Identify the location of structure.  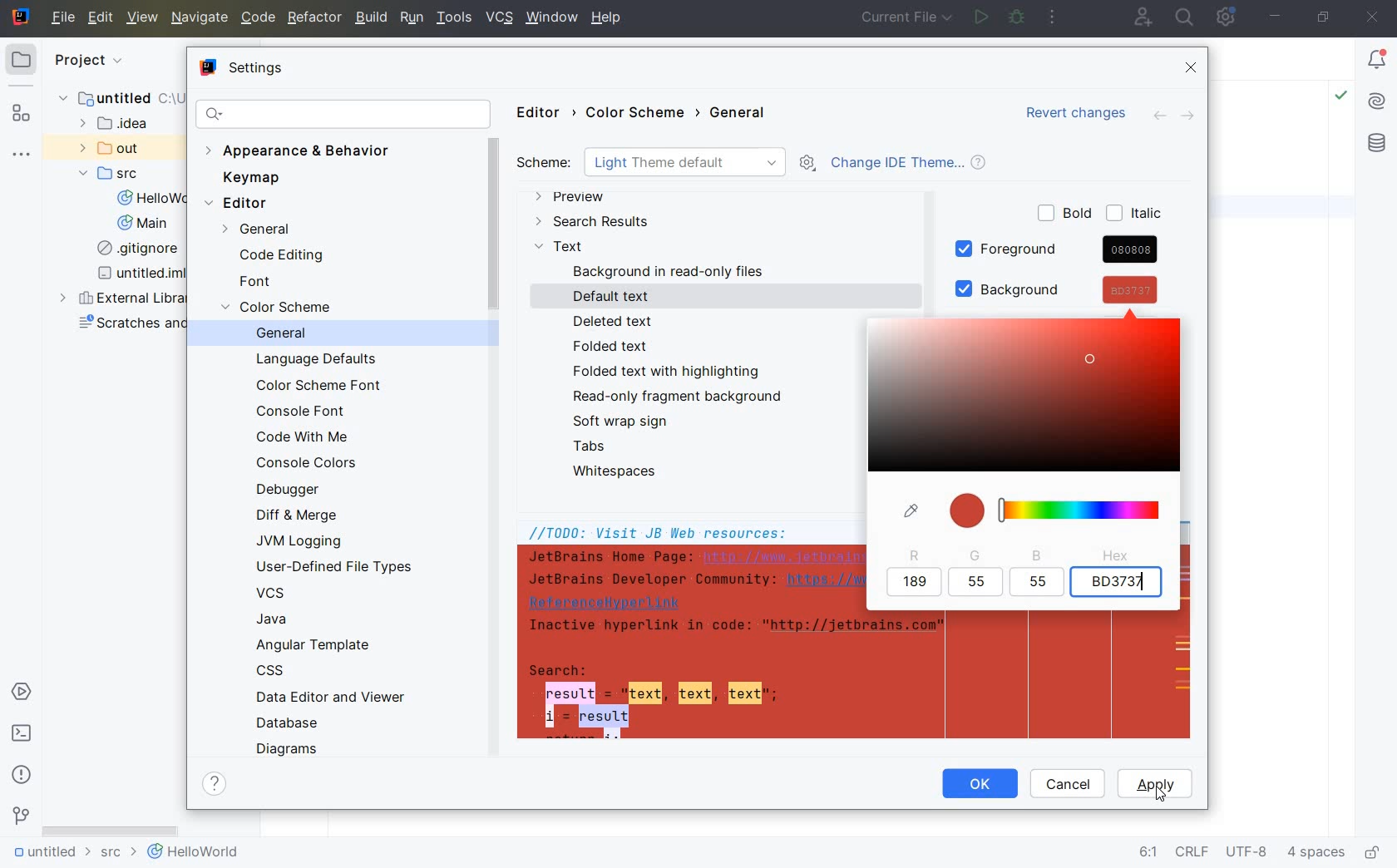
(23, 113).